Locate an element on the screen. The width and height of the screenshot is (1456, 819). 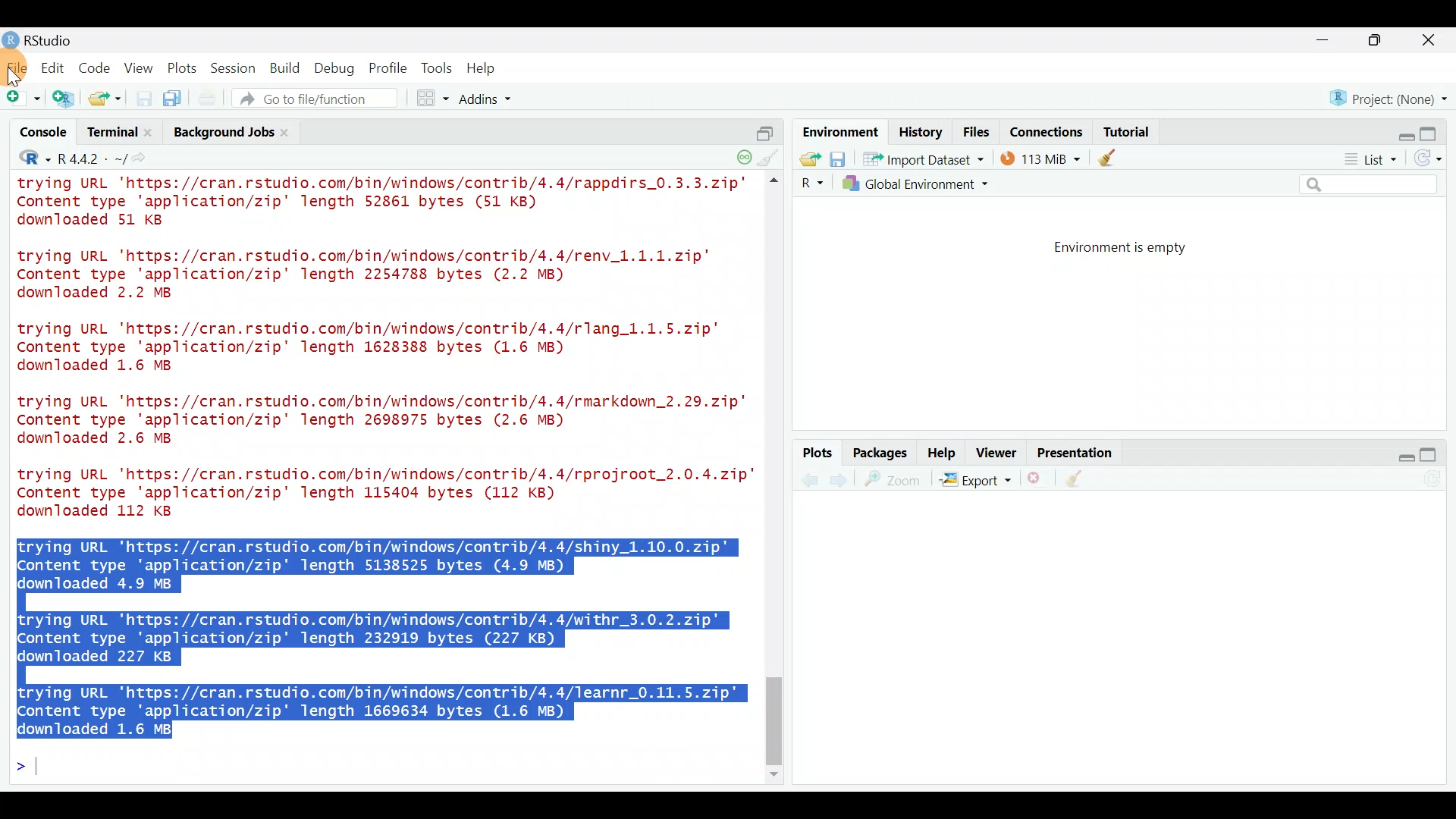
maximize is located at coordinates (1435, 454).